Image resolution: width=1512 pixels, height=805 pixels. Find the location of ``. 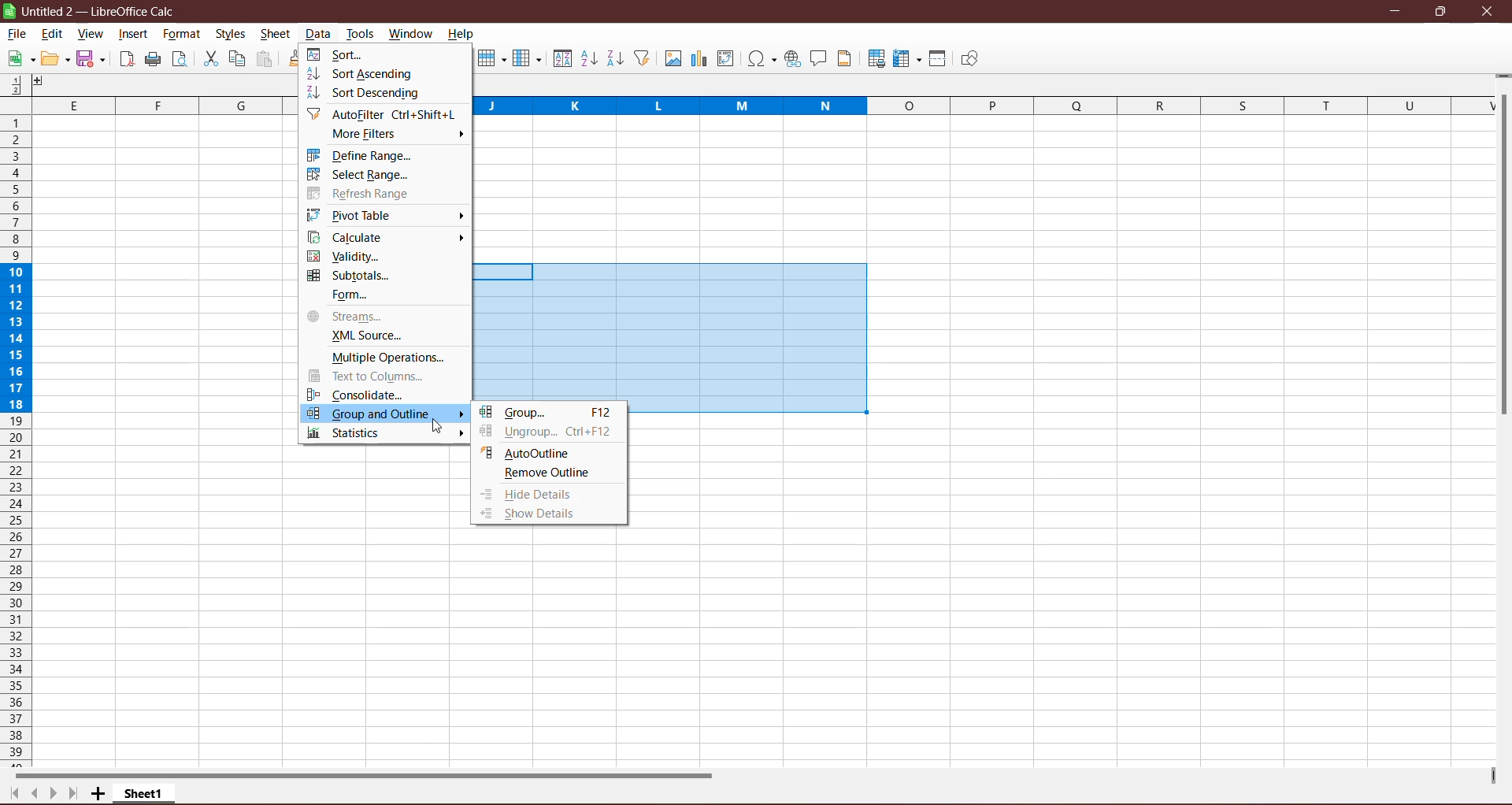

 is located at coordinates (45, 83).